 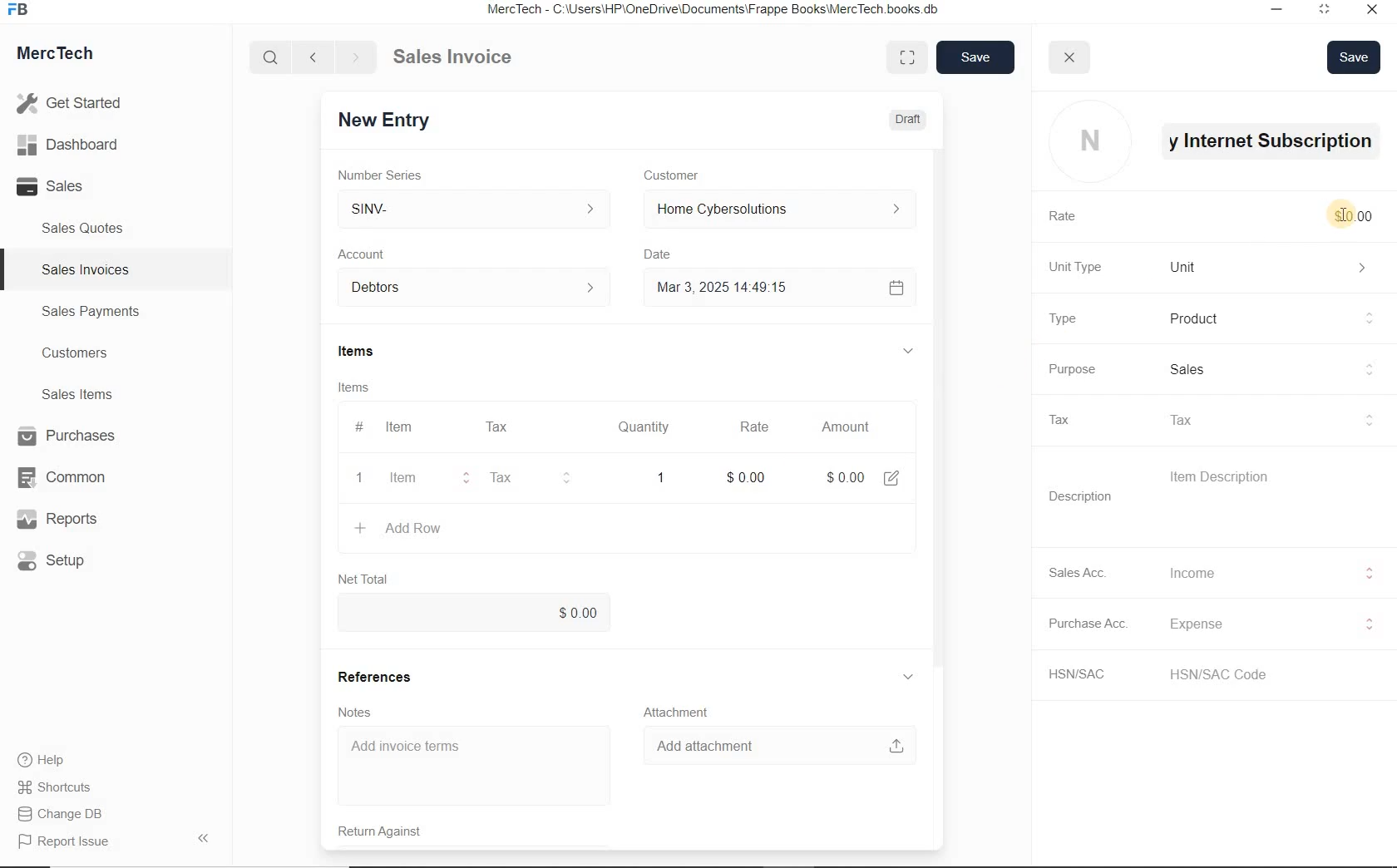 What do you see at coordinates (69, 476) in the screenshot?
I see `Common` at bounding box center [69, 476].